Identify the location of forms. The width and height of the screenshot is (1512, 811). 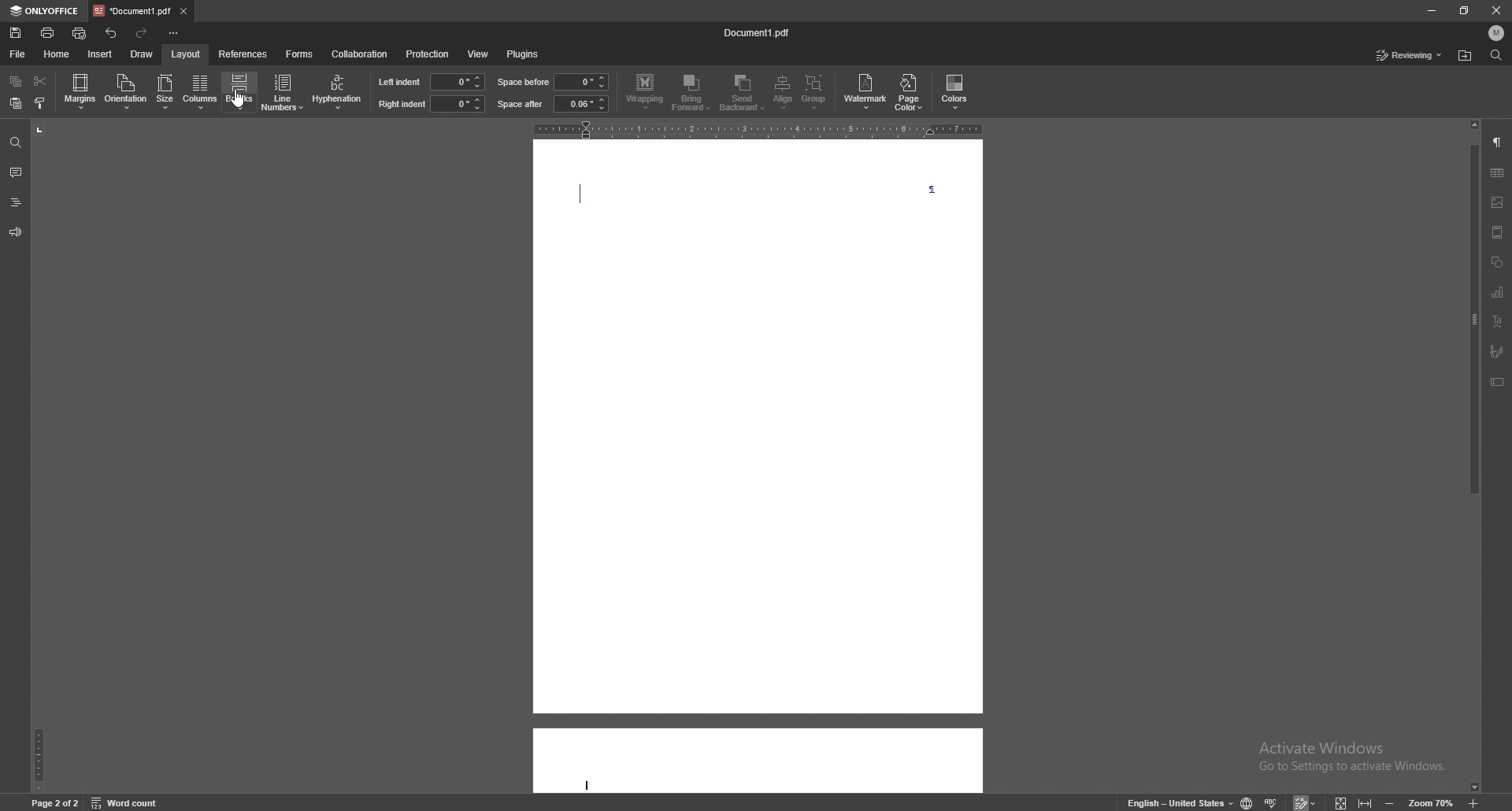
(300, 54).